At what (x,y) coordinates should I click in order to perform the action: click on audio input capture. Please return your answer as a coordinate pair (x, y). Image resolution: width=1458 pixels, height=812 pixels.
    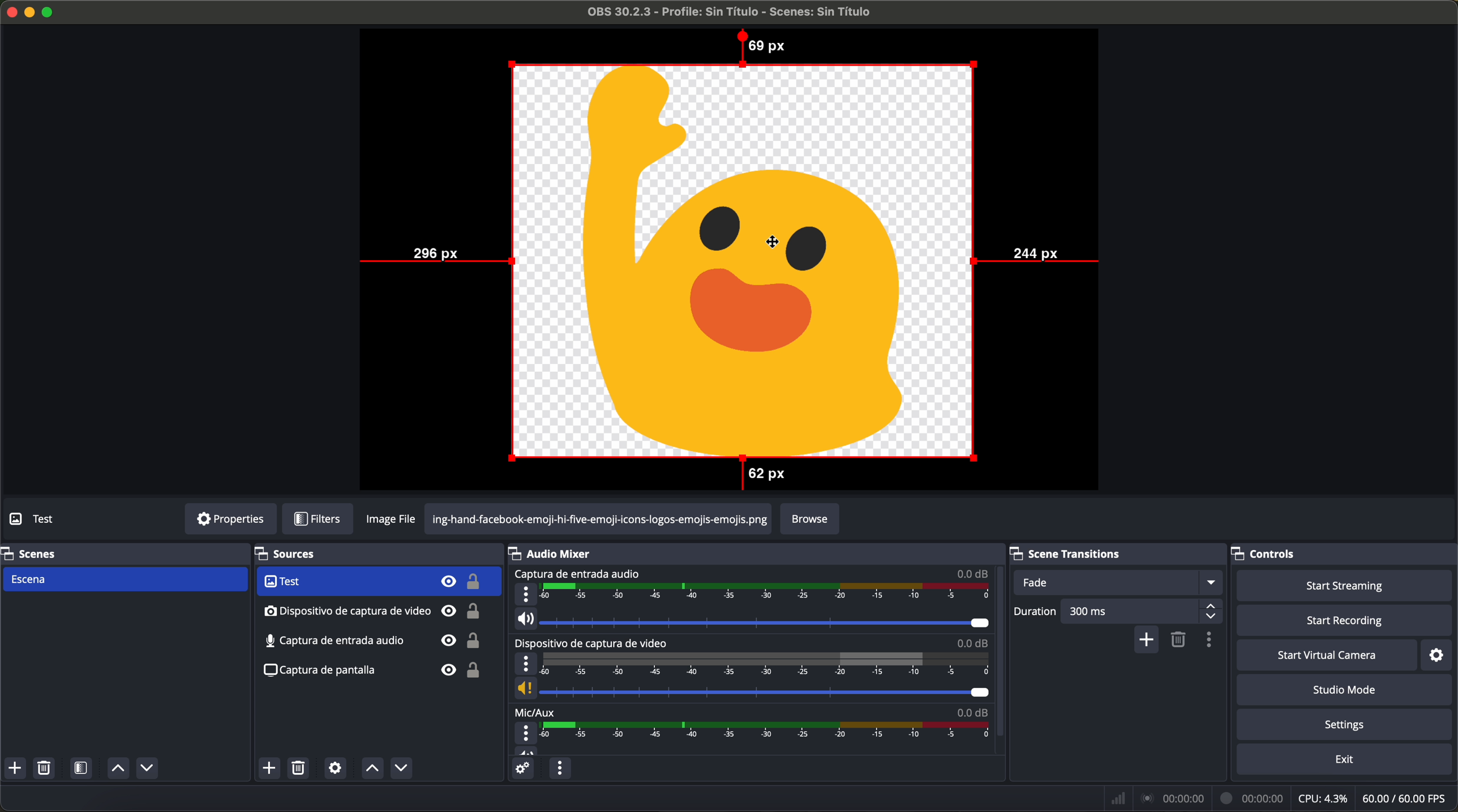
    Looking at the image, I should click on (576, 574).